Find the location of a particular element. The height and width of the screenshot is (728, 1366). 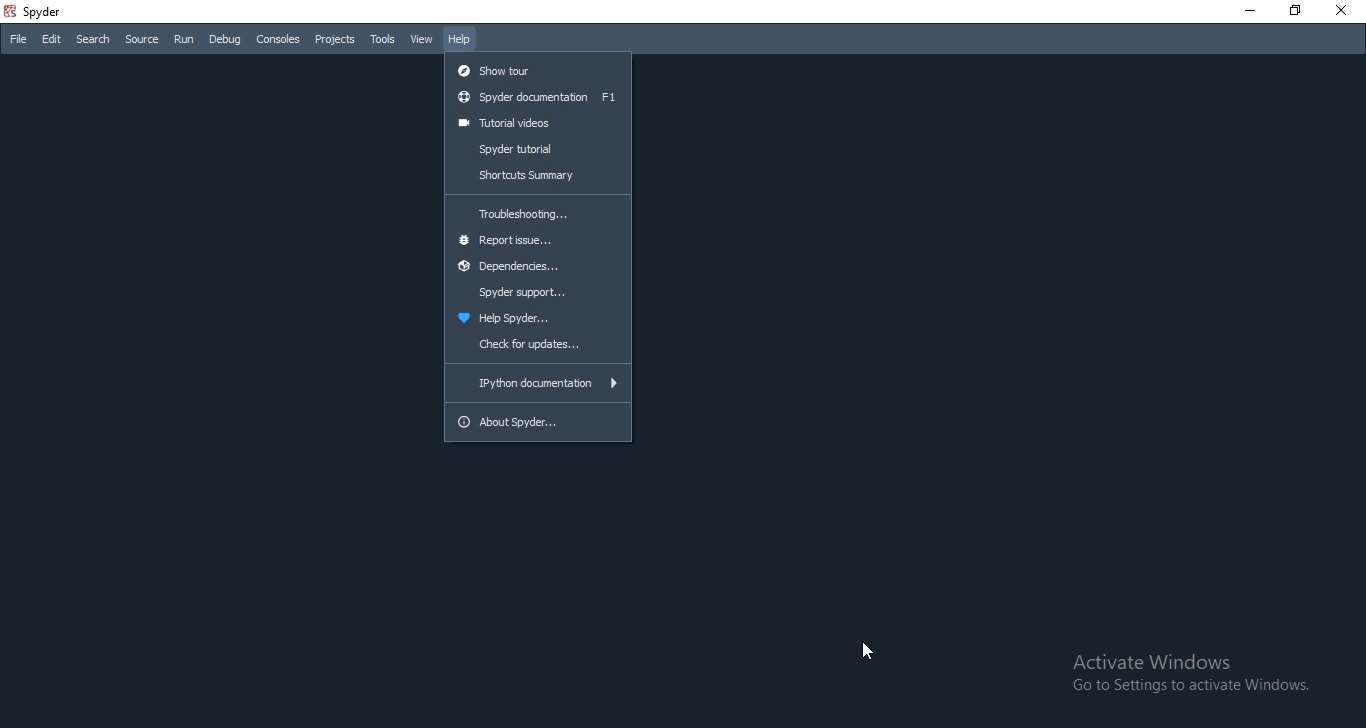

Activate Windows
Go to Settings to activate Windows. is located at coordinates (1175, 672).